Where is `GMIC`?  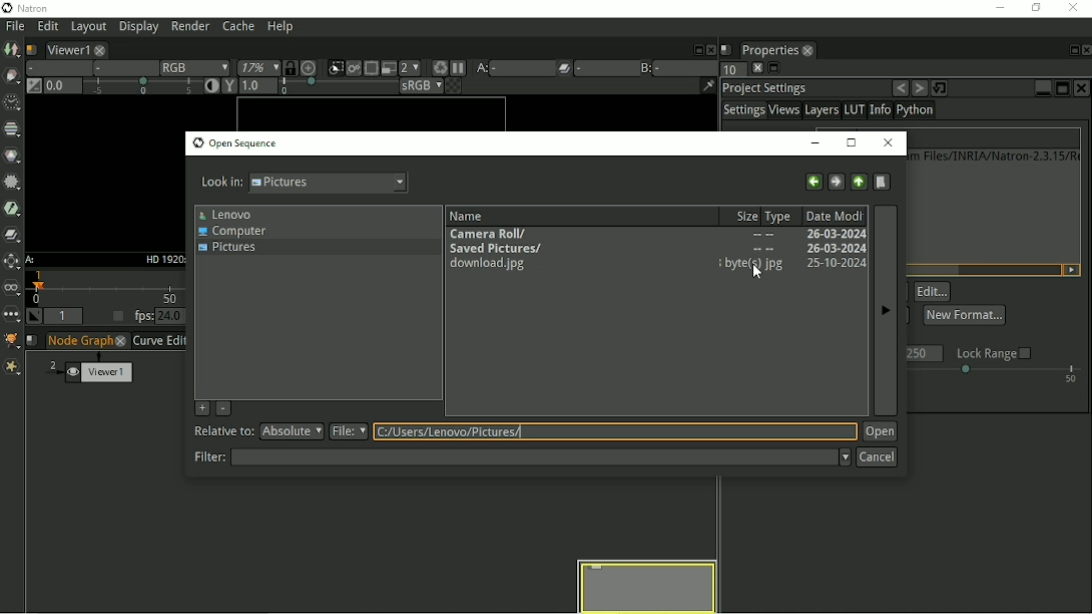
GMIC is located at coordinates (11, 341).